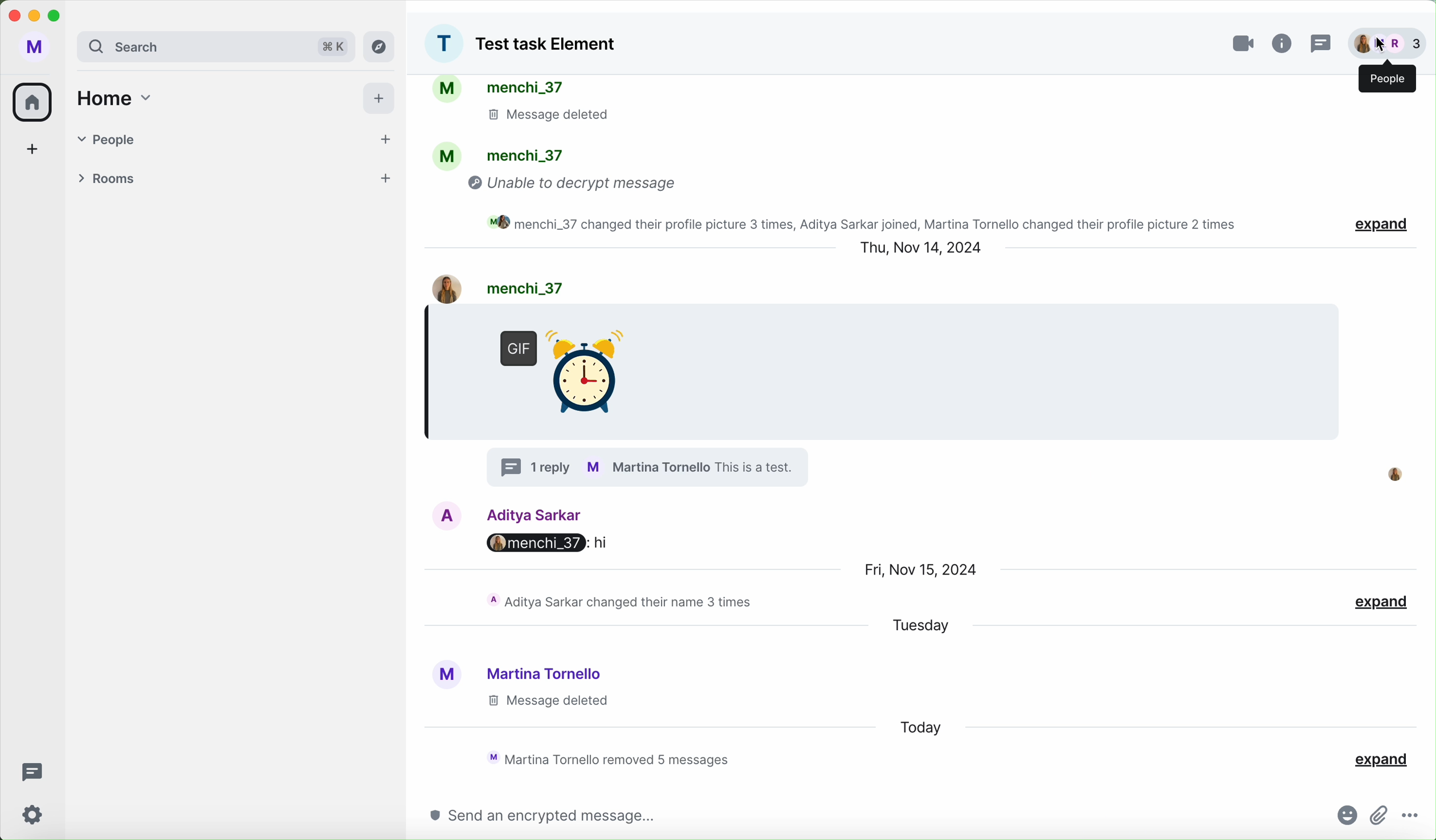 This screenshot has height=840, width=1436. I want to click on group name, so click(548, 46).